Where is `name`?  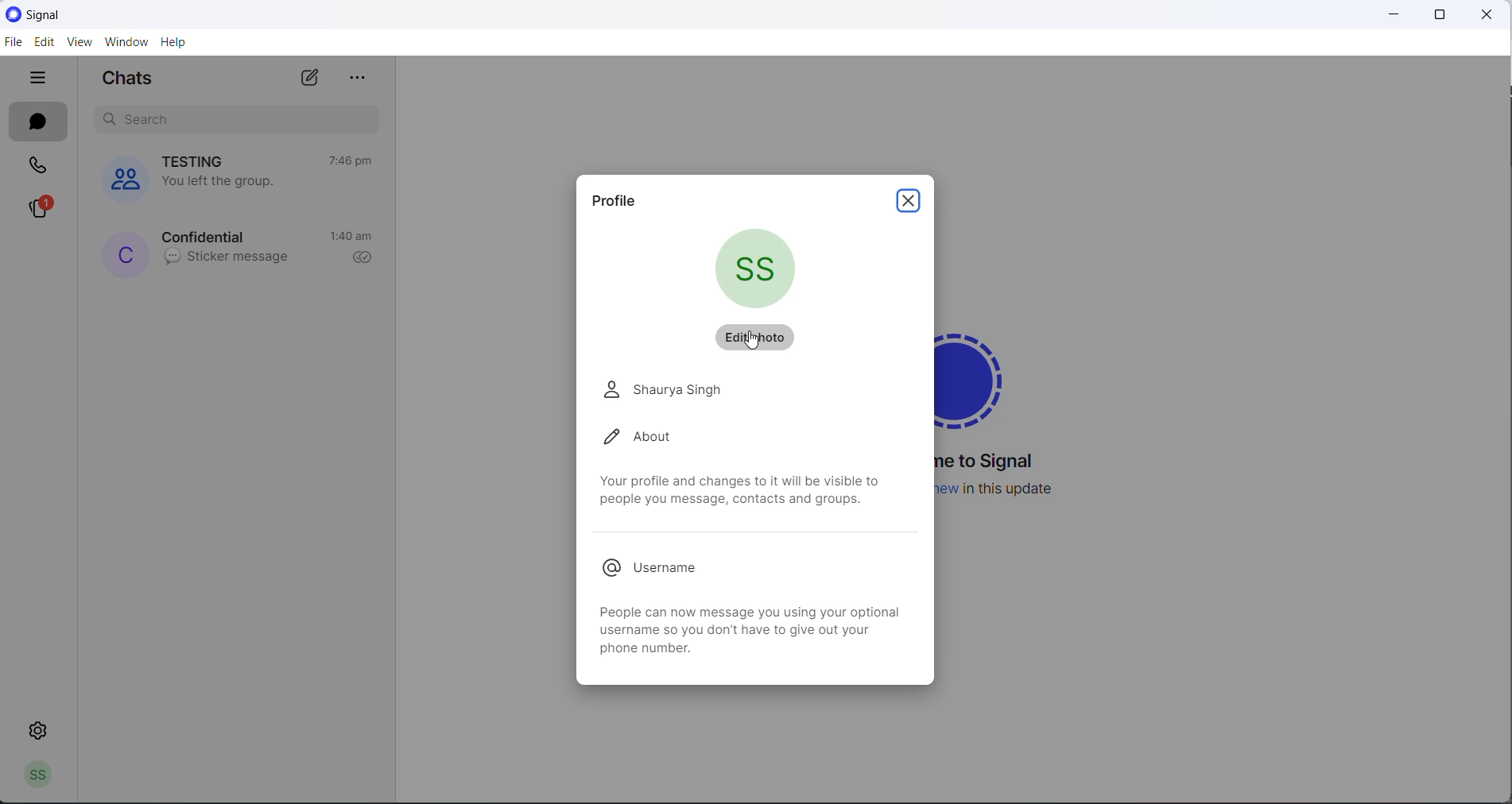
name is located at coordinates (685, 392).